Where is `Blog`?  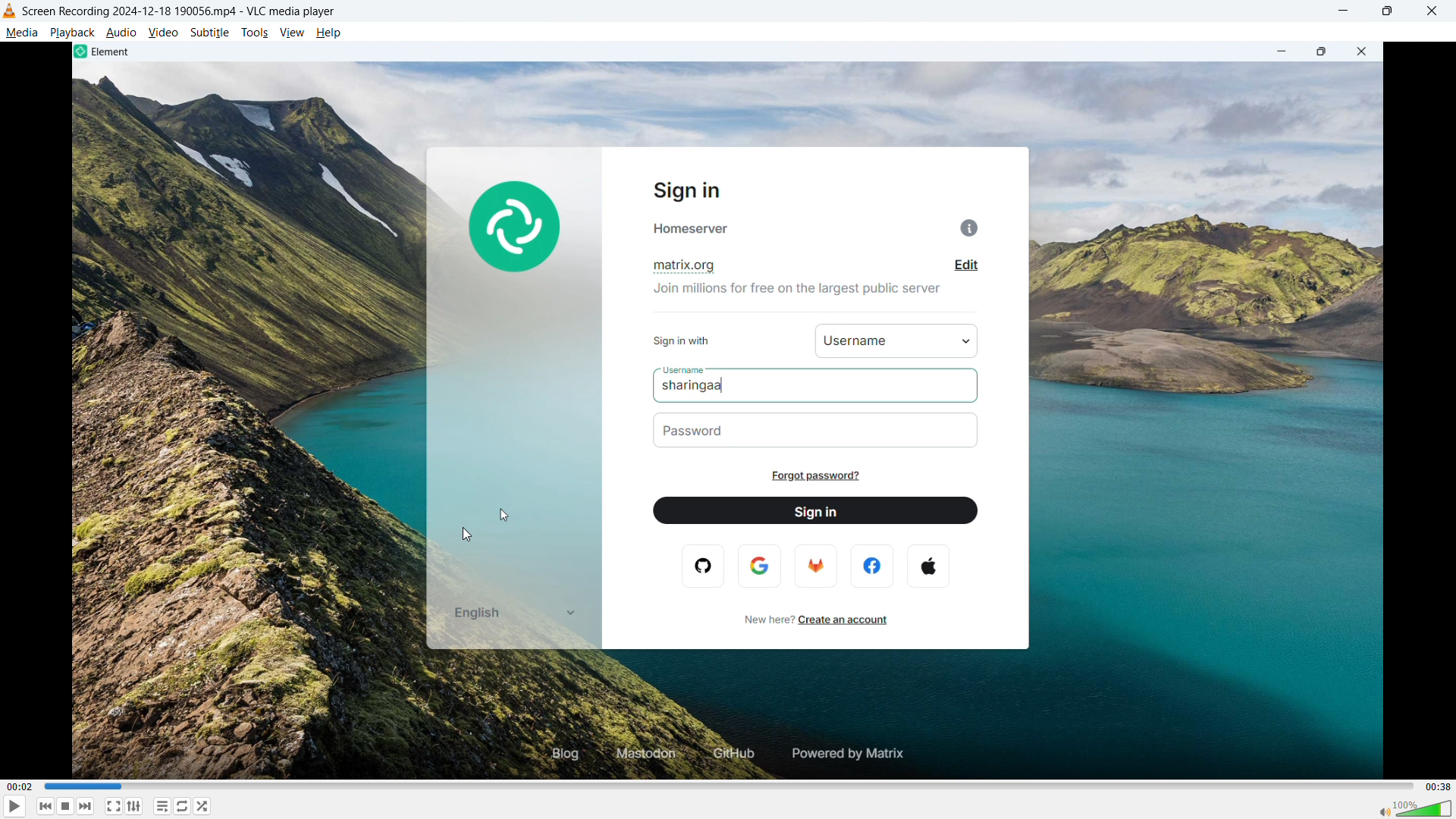
Blog is located at coordinates (554, 755).